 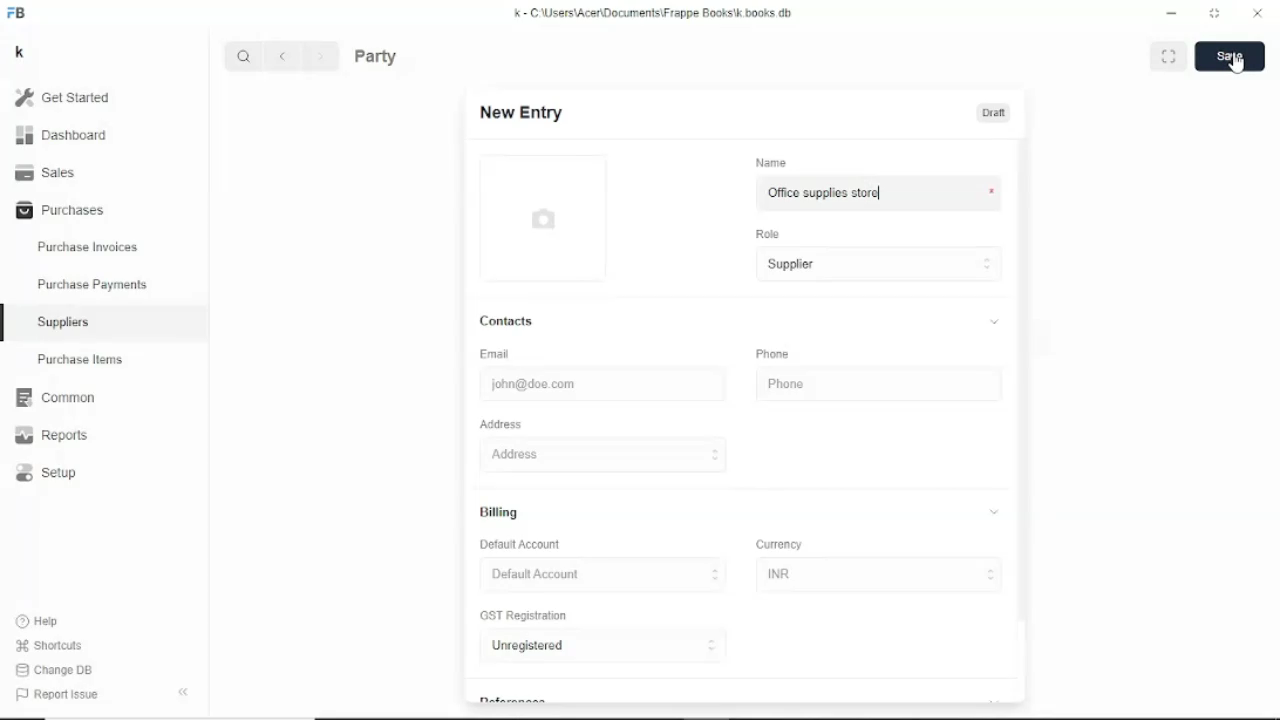 I want to click on k - C\Users\Acer\Documents\Frappe books\k.books.db, so click(x=654, y=12).